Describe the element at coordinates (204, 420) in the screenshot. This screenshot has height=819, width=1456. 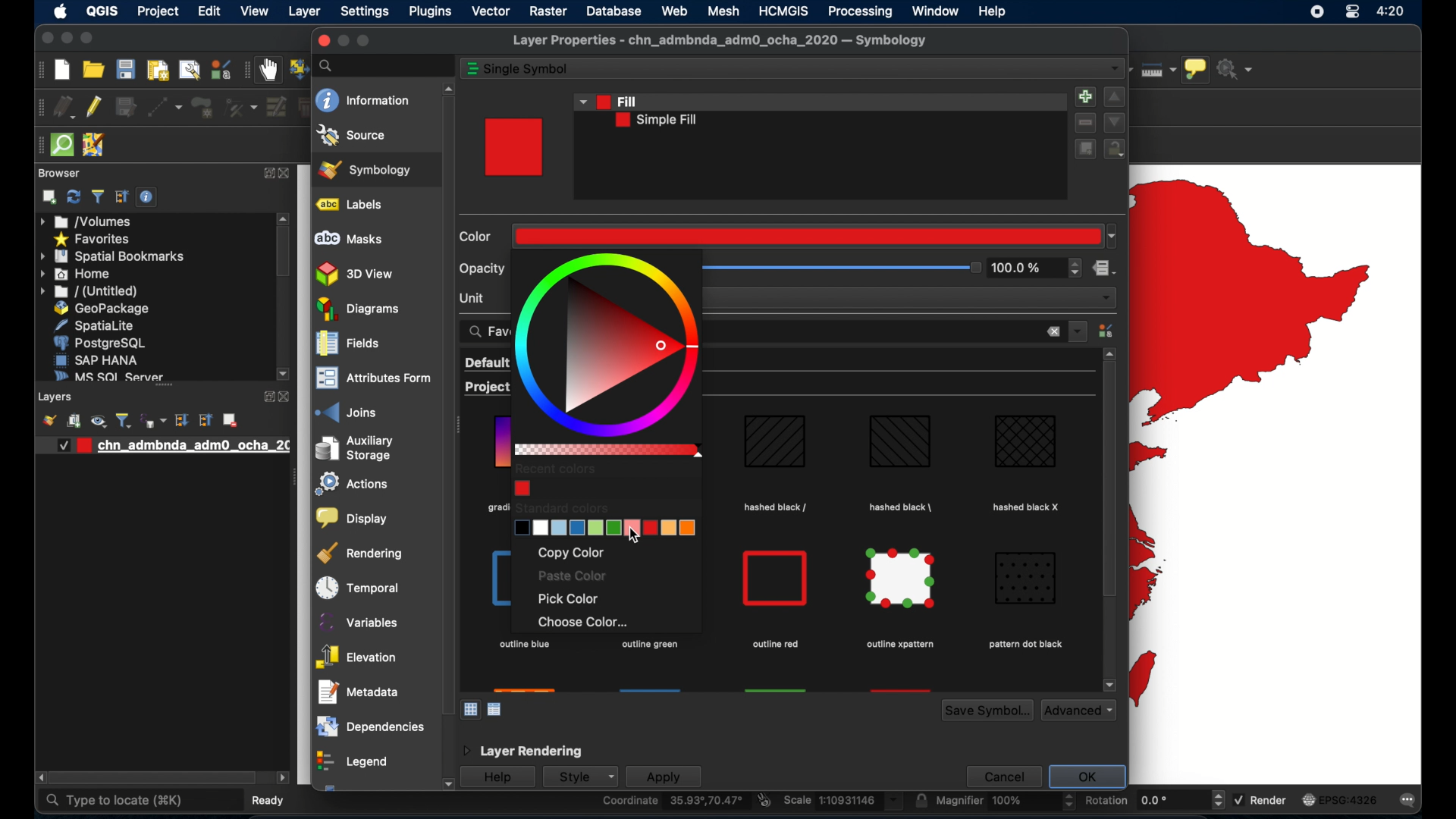
I see `collapse` at that location.